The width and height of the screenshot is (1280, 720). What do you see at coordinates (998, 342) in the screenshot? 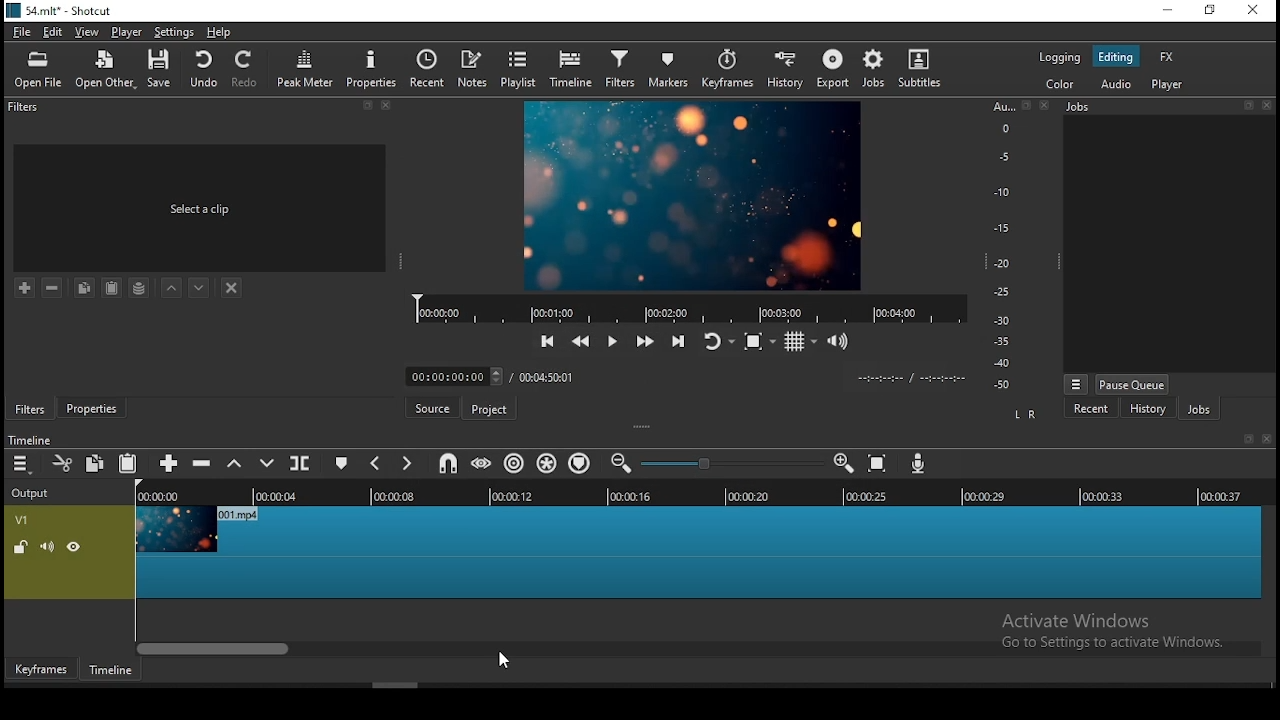
I see `-35` at bounding box center [998, 342].